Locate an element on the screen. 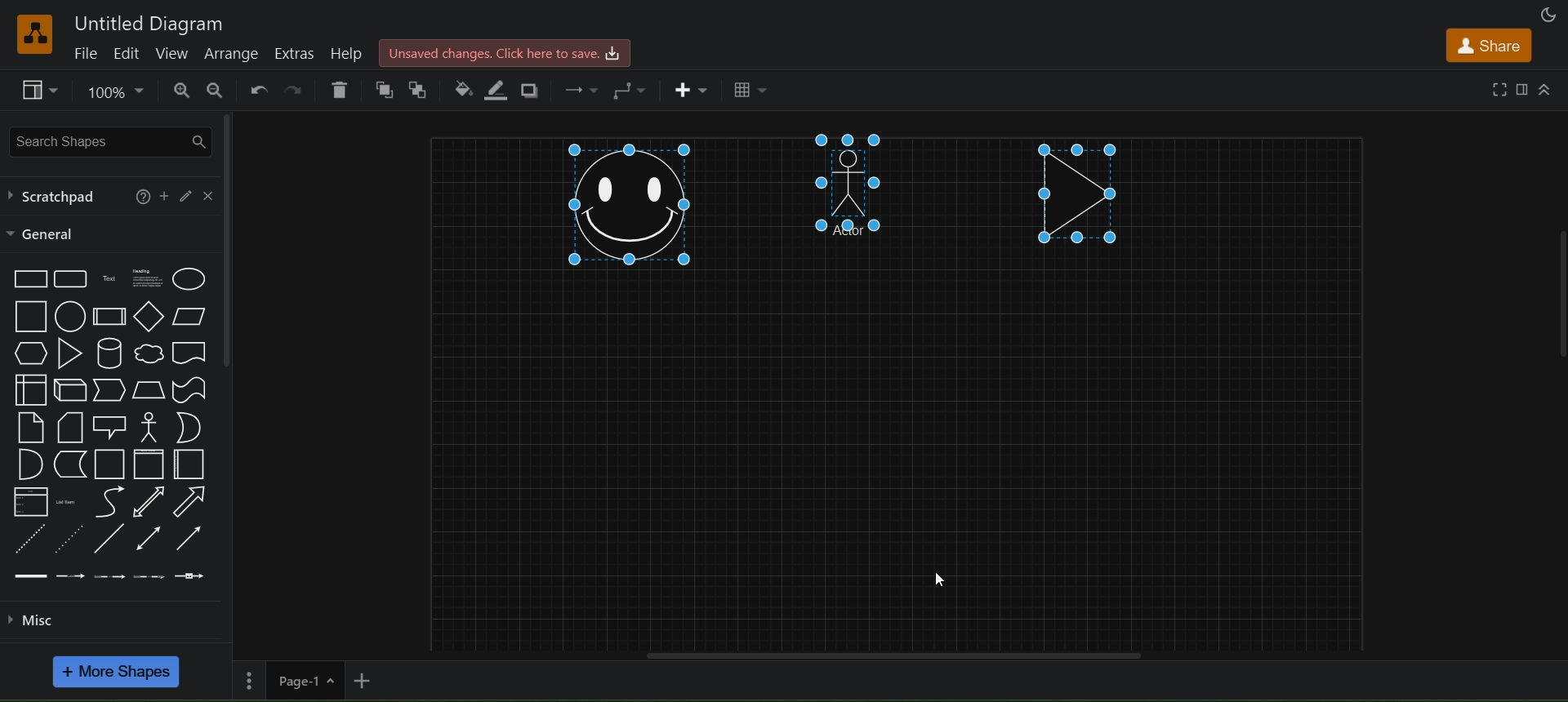 The image size is (1568, 702). circle is located at coordinates (69, 314).